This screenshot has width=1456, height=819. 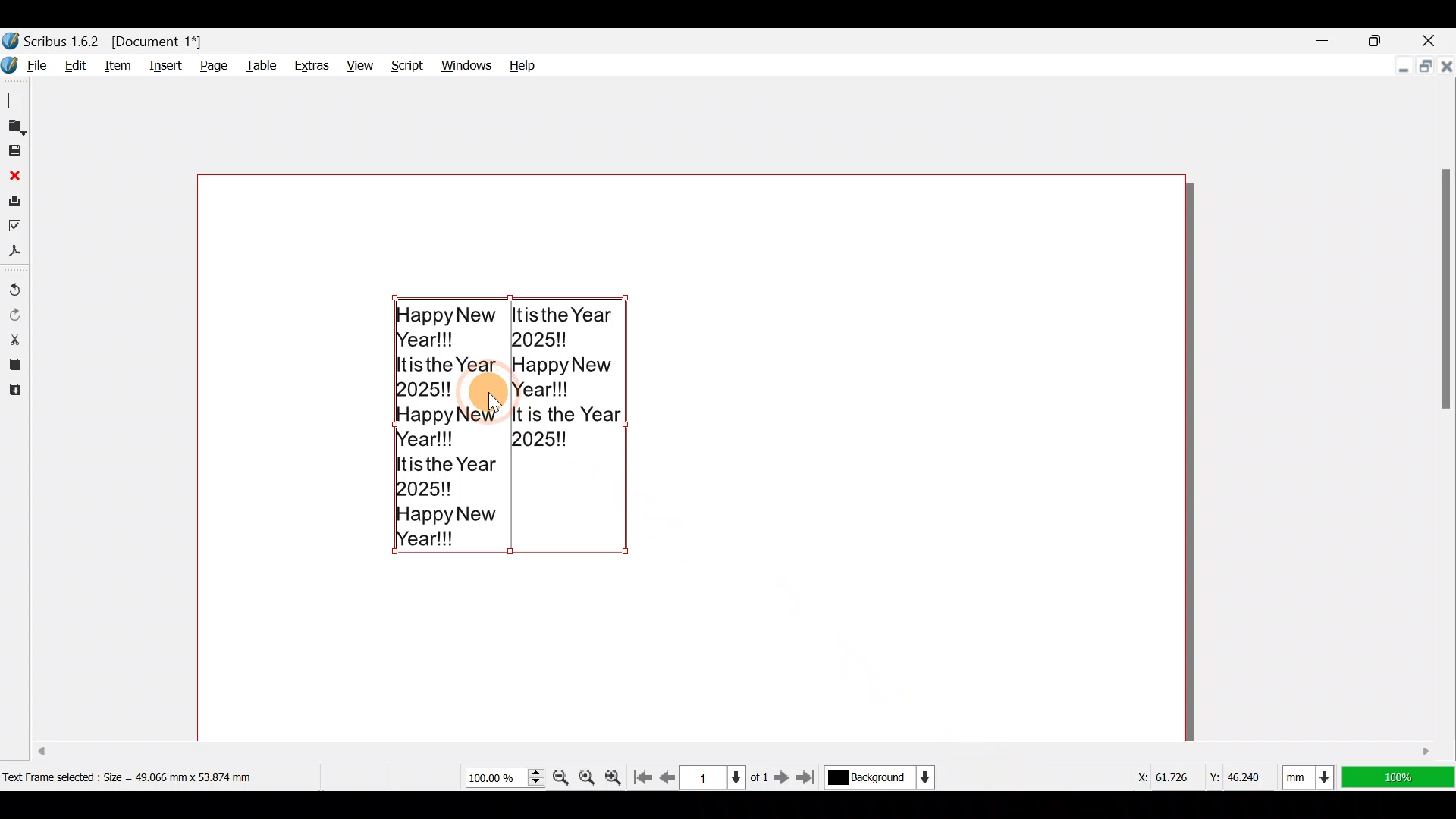 What do you see at coordinates (105, 39) in the screenshot?
I see `Scribus 1.6.2` at bounding box center [105, 39].